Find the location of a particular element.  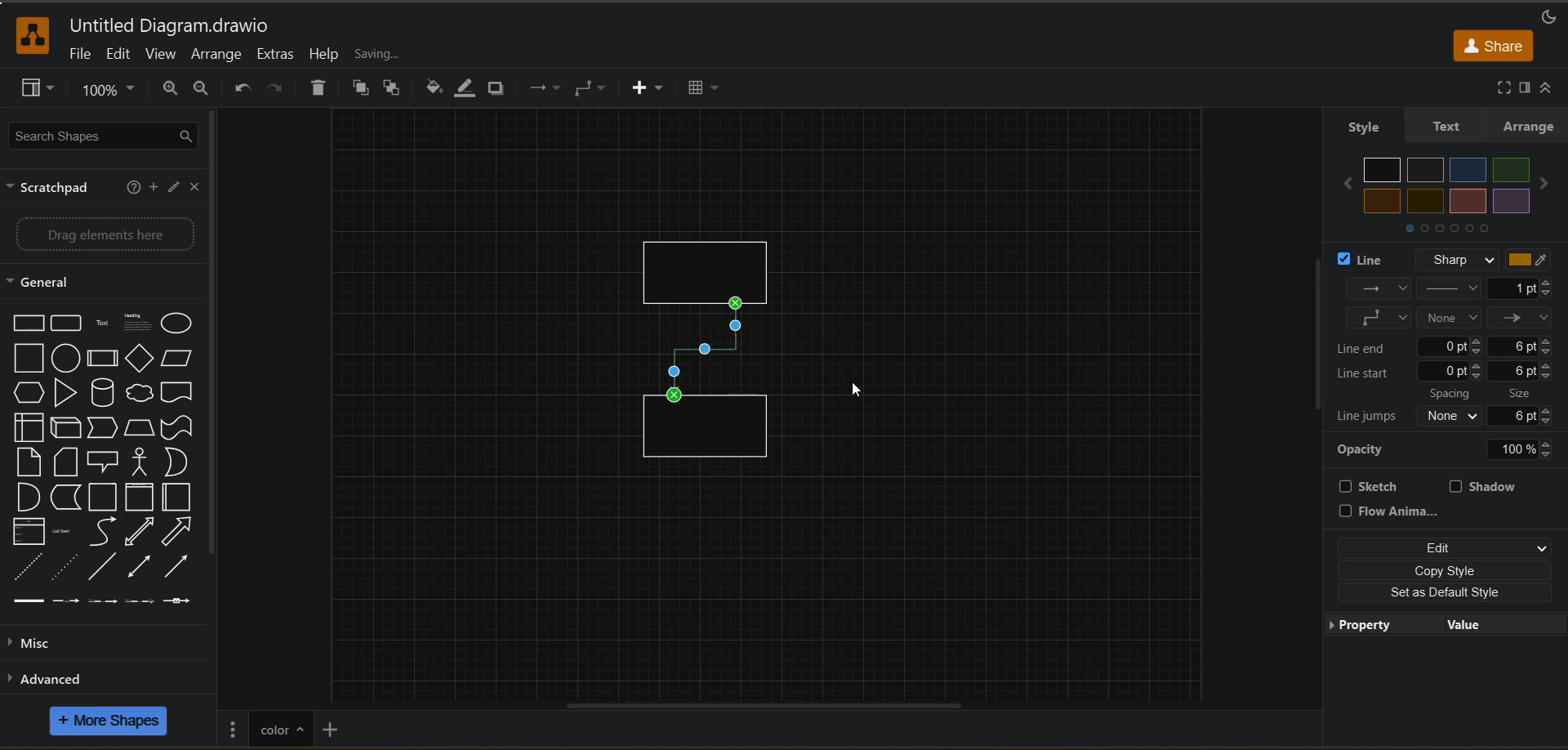

view is located at coordinates (163, 56).